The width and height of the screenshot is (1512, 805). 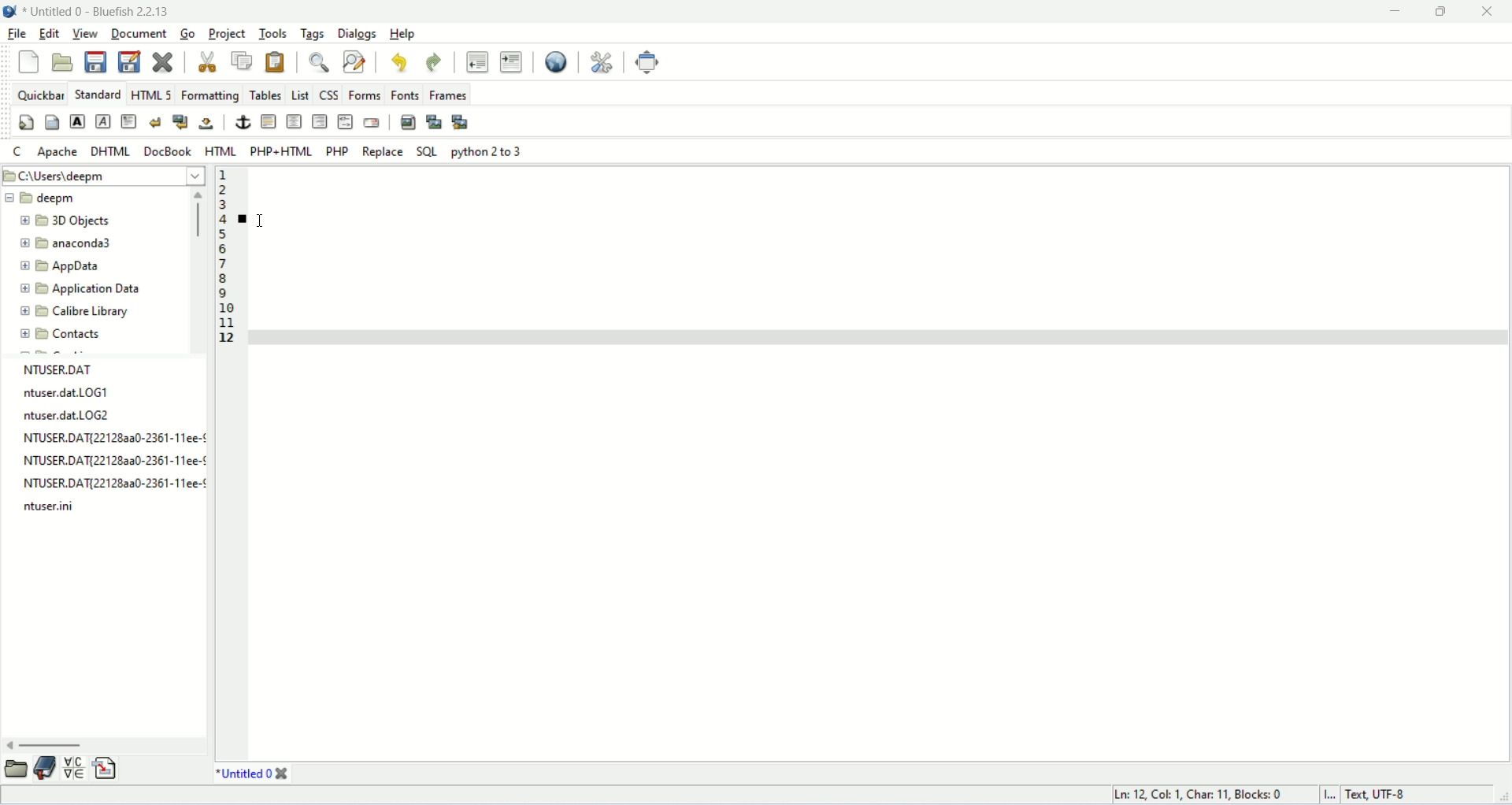 What do you see at coordinates (9, 12) in the screenshot?
I see `logo` at bounding box center [9, 12].